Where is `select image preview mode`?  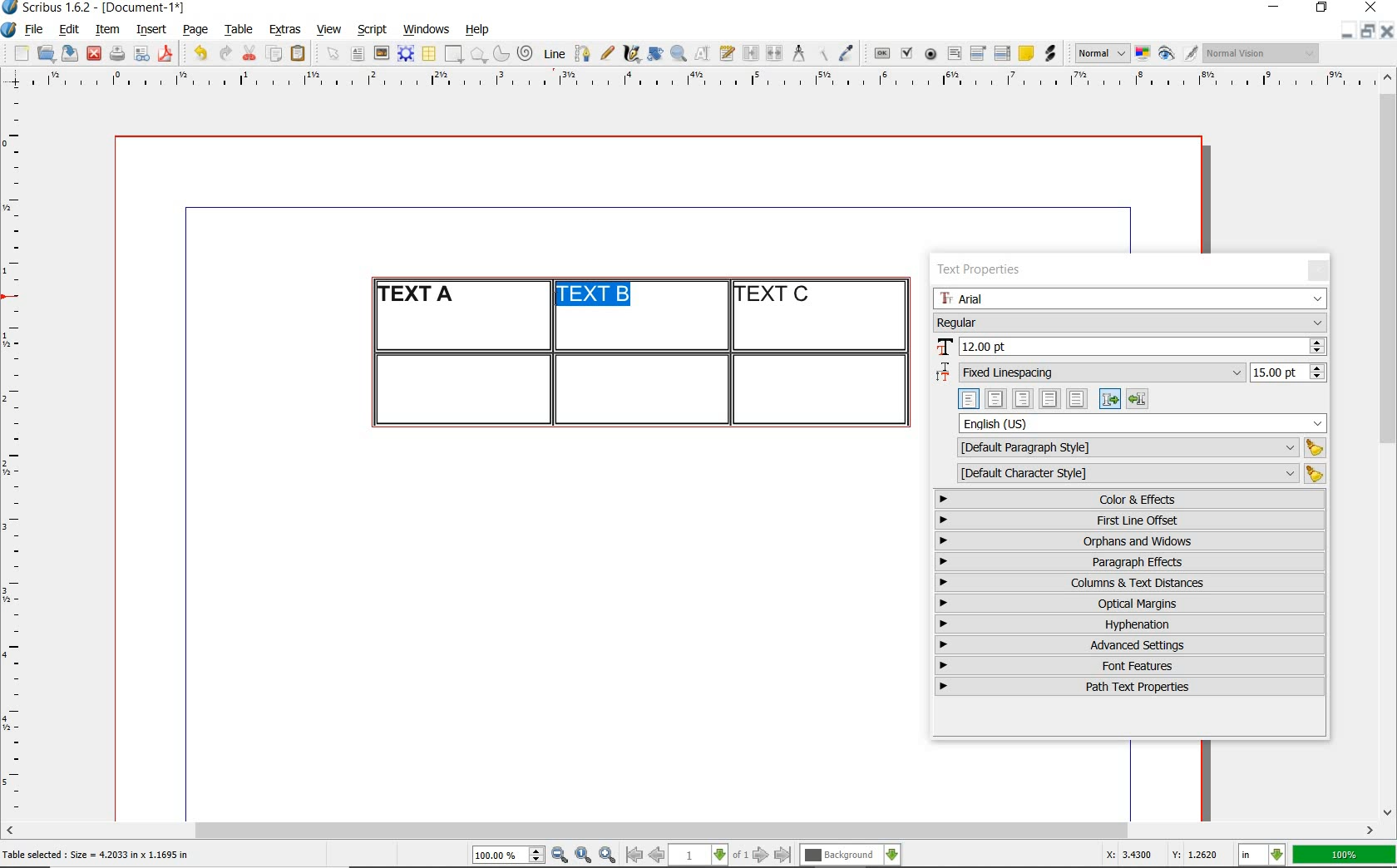 select image preview mode is located at coordinates (1101, 54).